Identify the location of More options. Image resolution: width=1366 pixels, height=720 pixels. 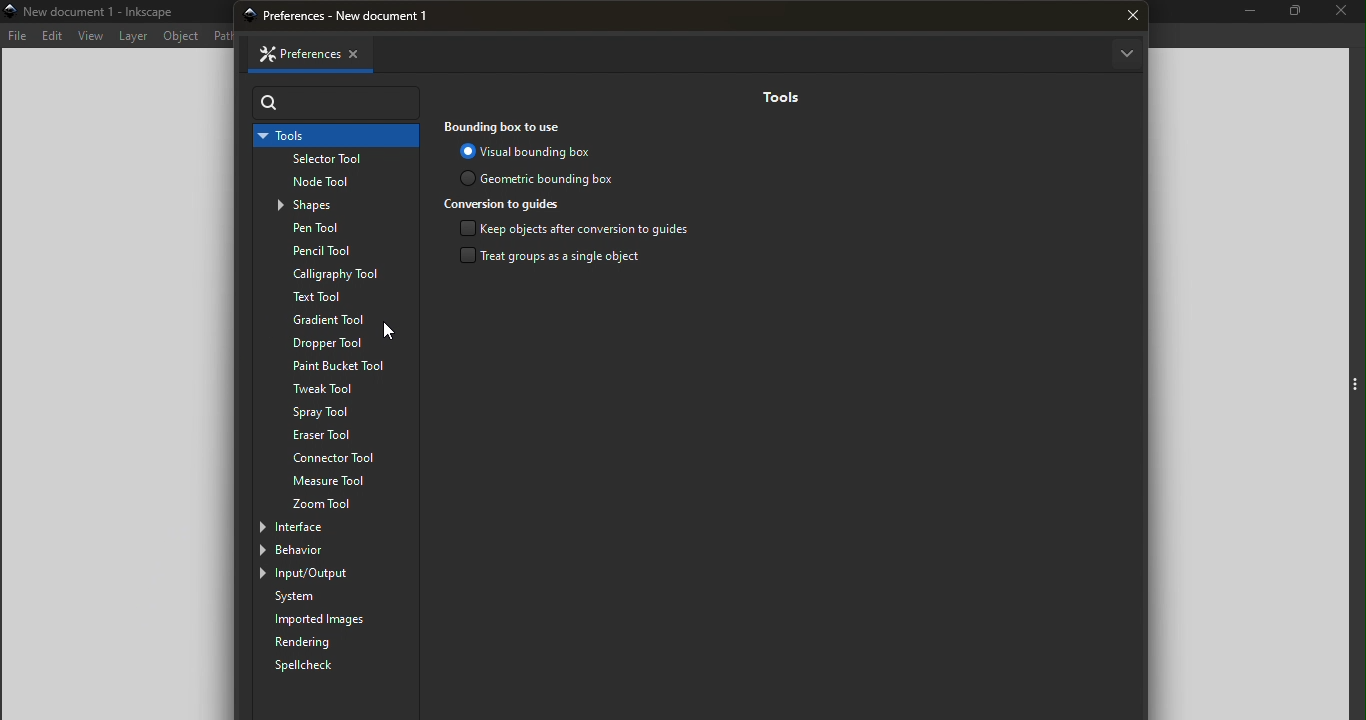
(1125, 55).